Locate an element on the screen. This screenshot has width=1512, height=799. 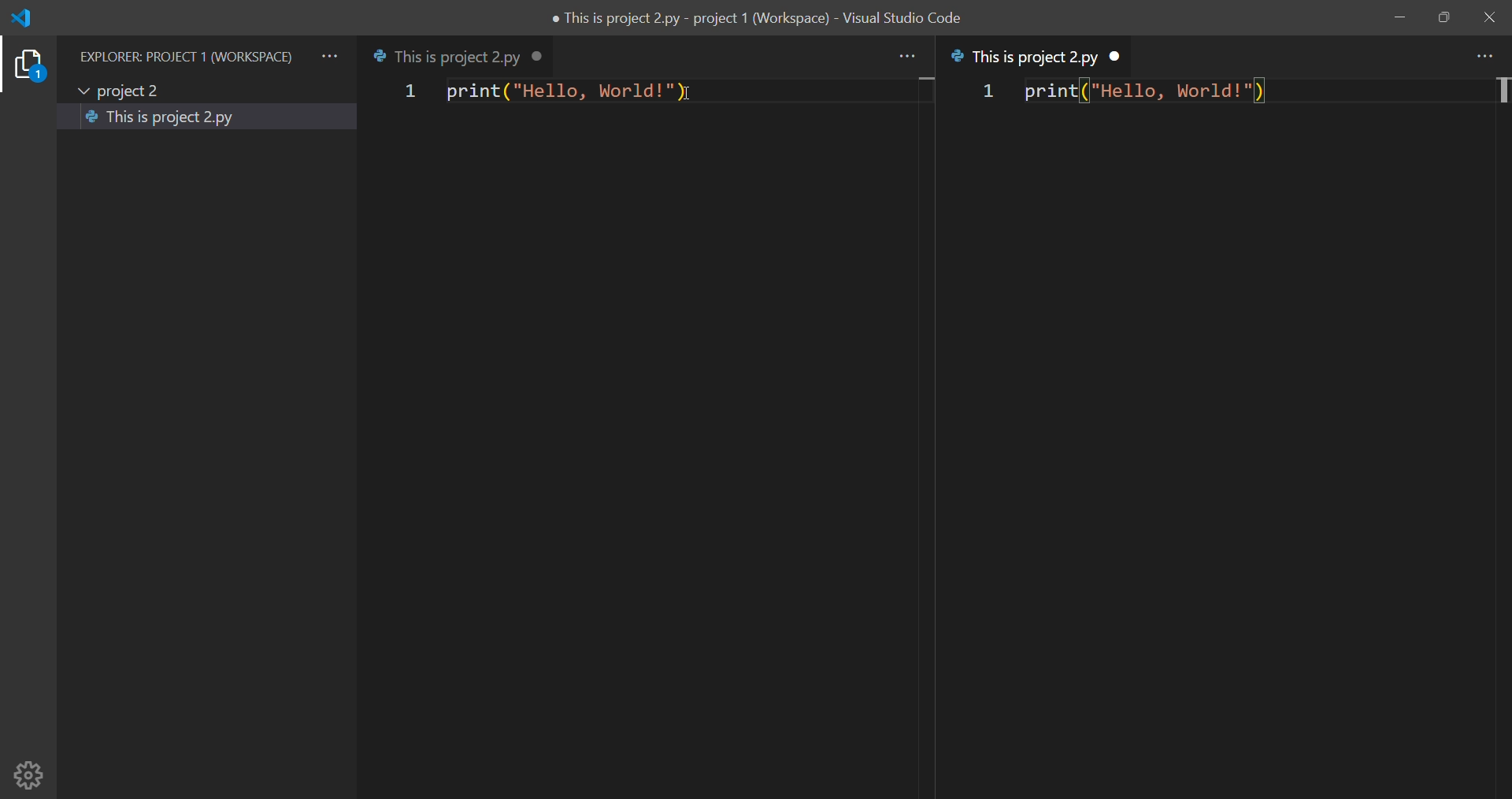
This is project 2.py is located at coordinates (446, 56).